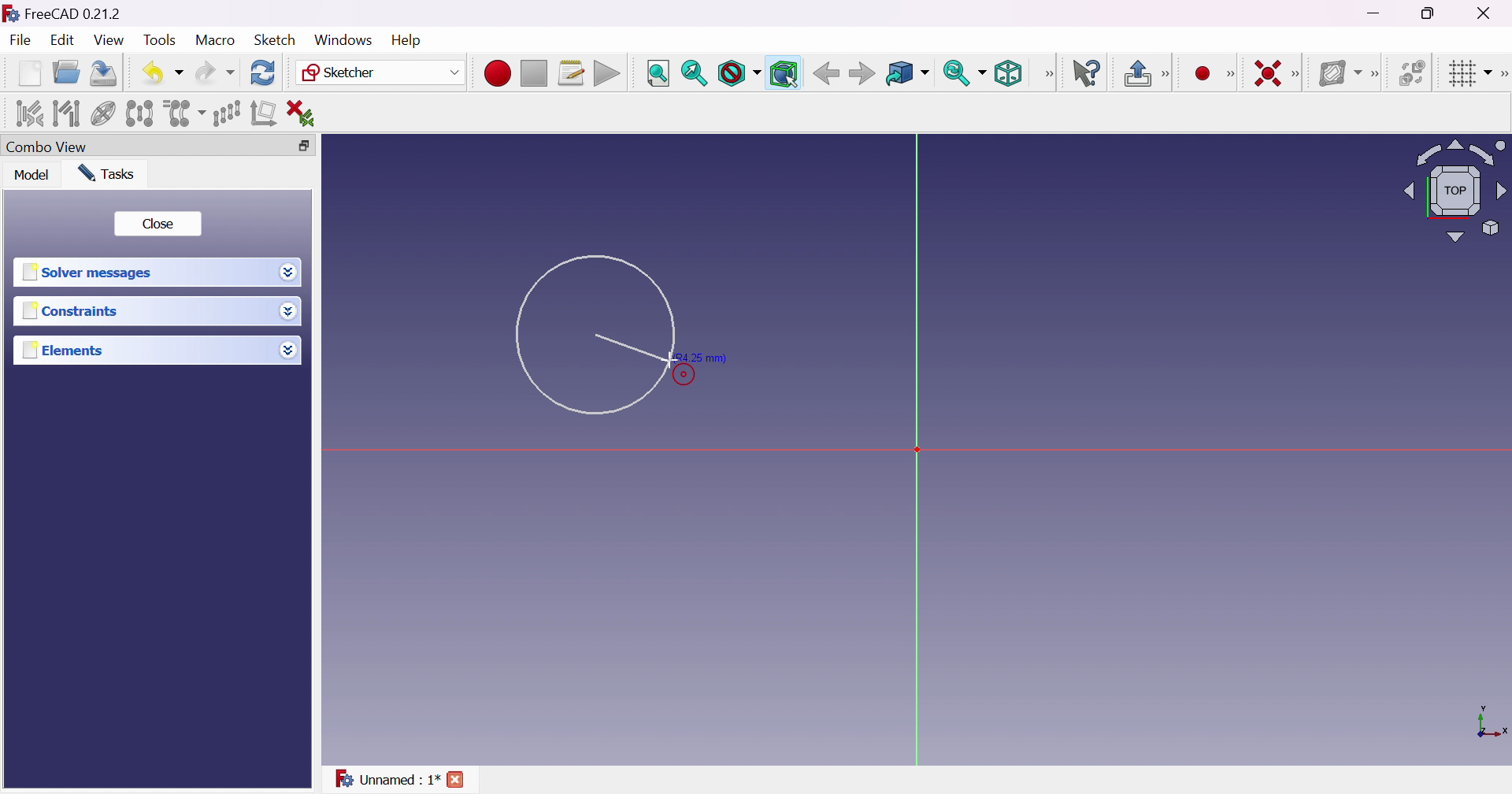  What do you see at coordinates (1168, 72) in the screenshot?
I see `[Sketcher edit model]` at bounding box center [1168, 72].